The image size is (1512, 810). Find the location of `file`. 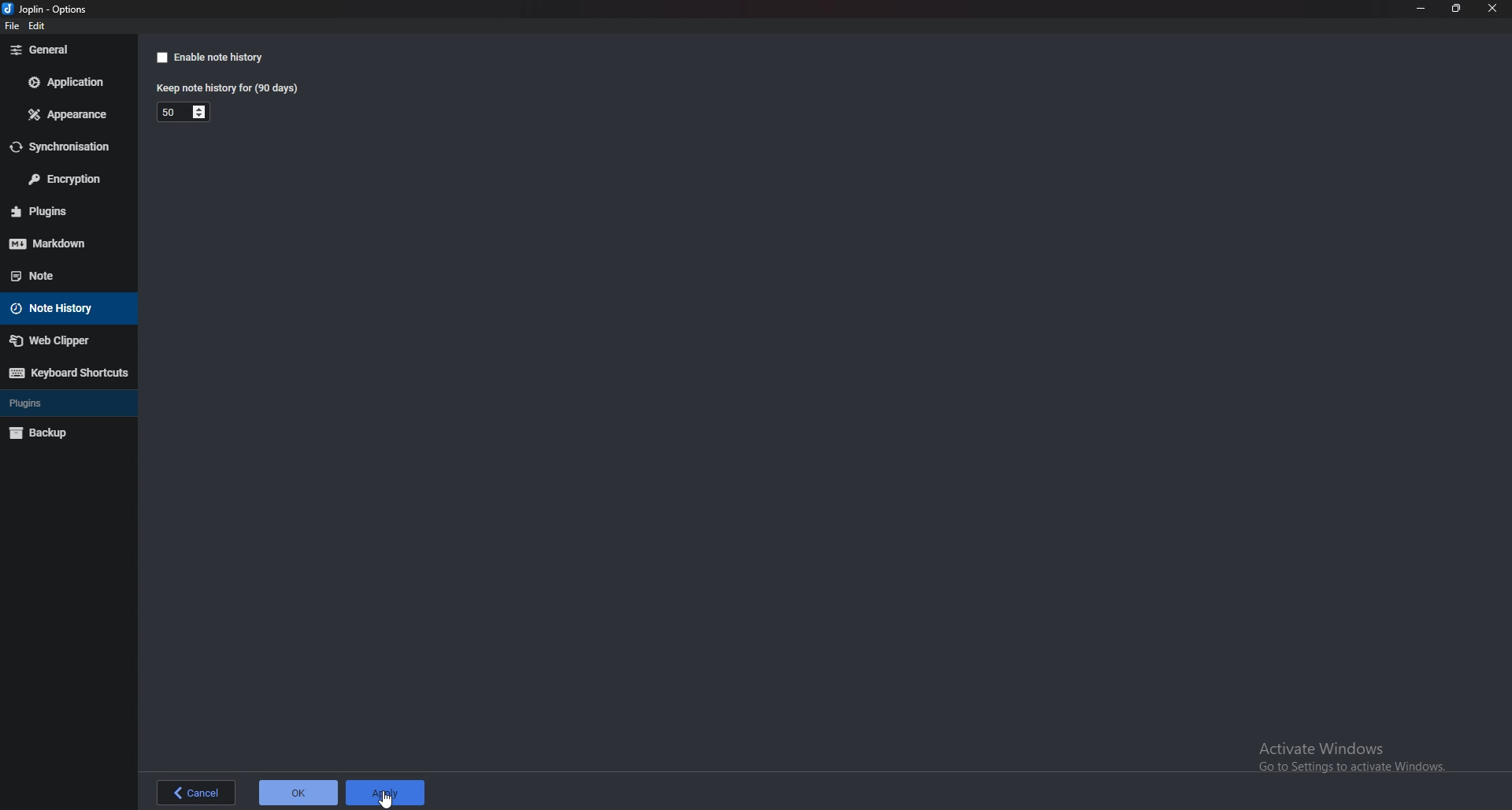

file is located at coordinates (9, 27).